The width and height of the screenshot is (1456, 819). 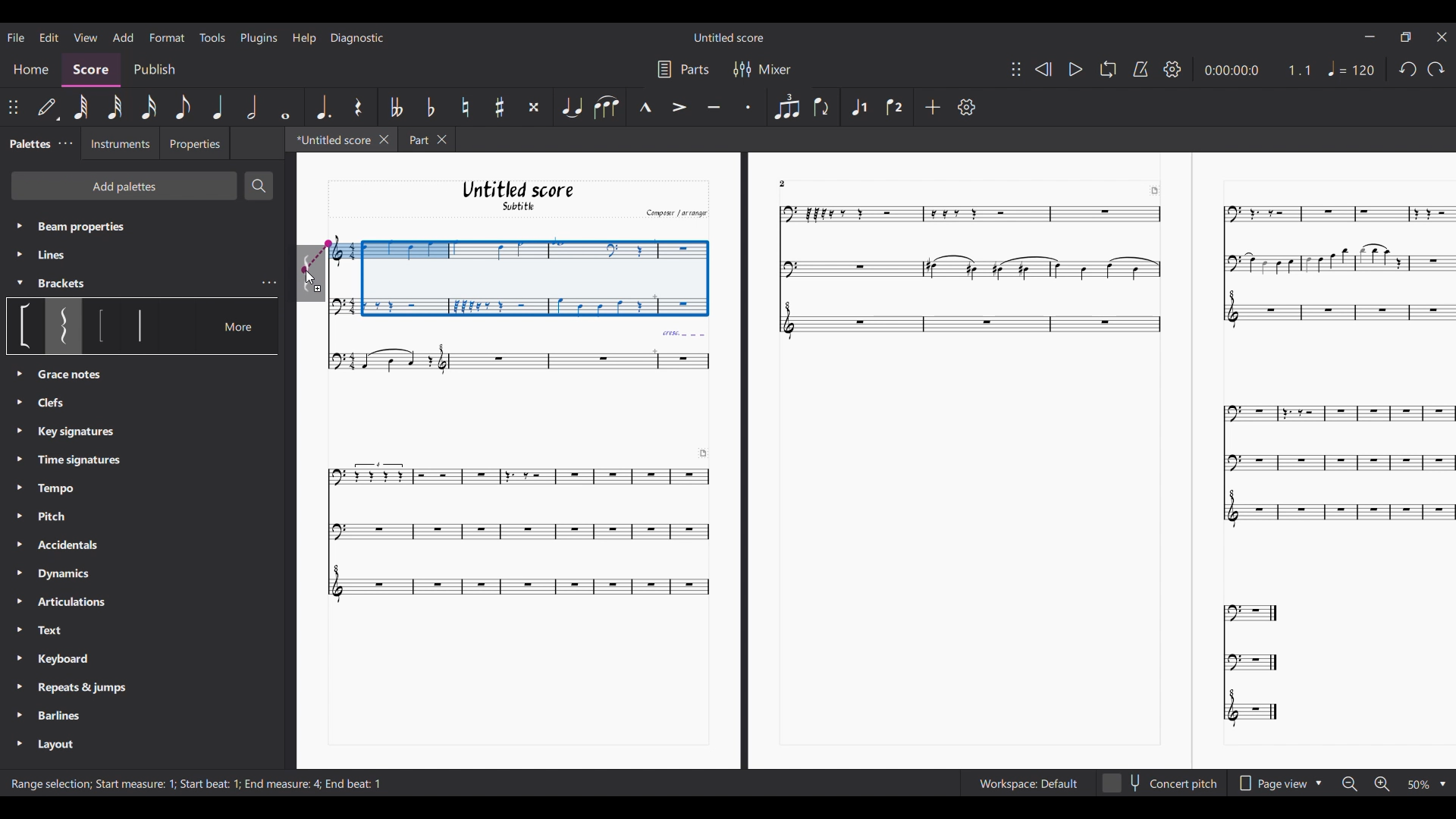 What do you see at coordinates (284, 107) in the screenshot?
I see `Whole note` at bounding box center [284, 107].